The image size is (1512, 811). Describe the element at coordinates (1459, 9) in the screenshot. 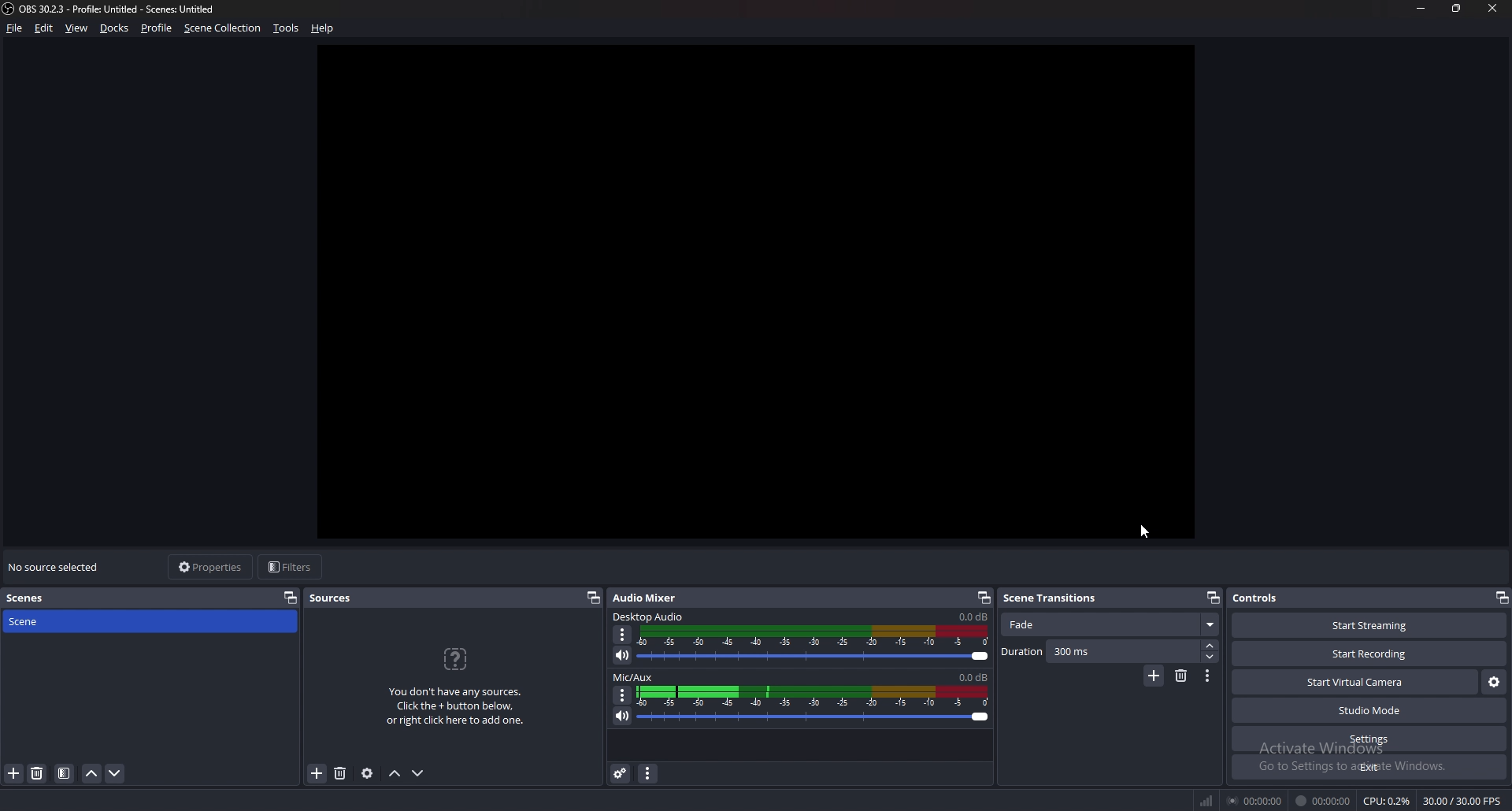

I see `resize` at that location.